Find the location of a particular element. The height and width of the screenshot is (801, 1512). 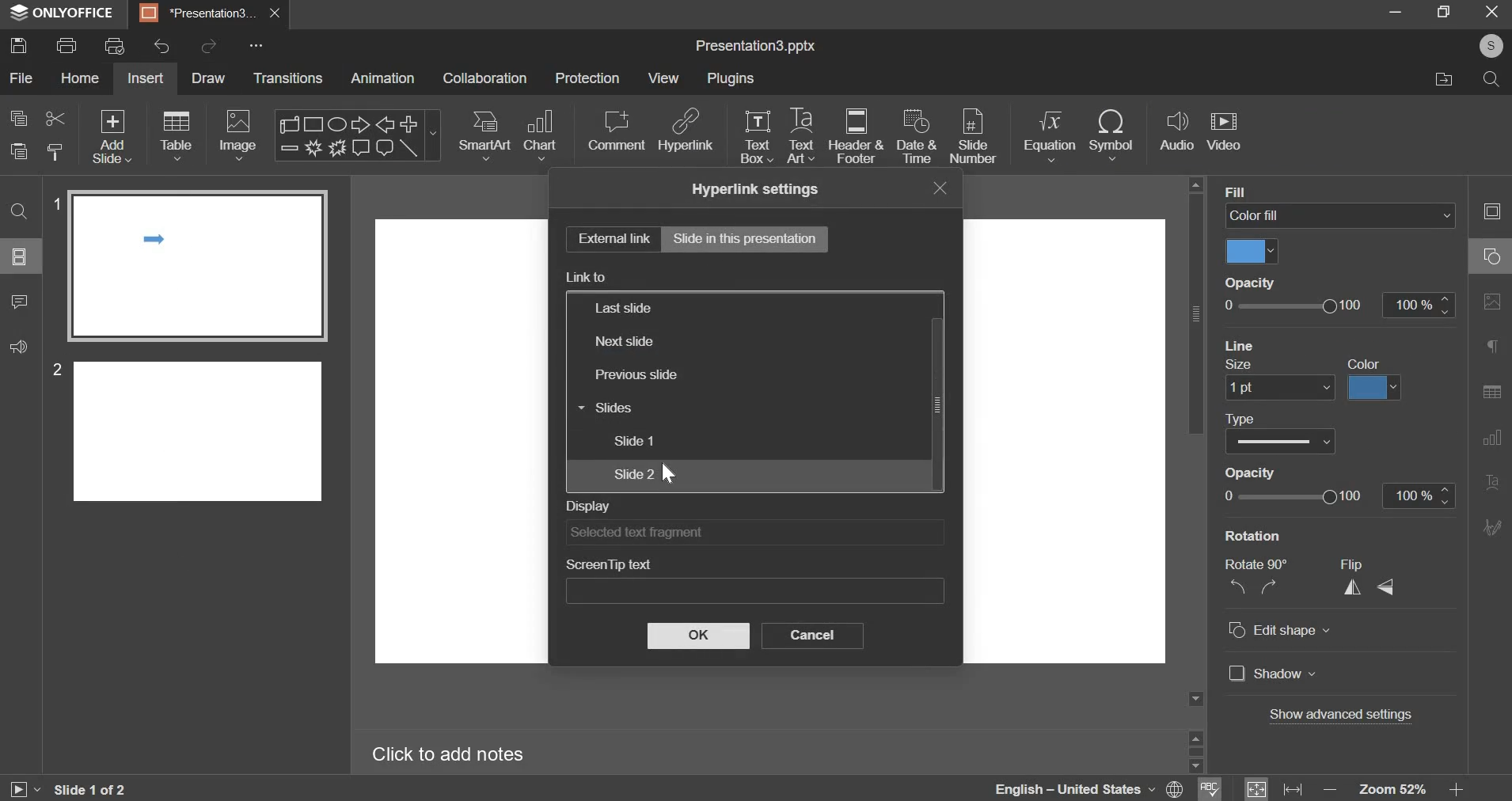

slider from 0 to 100 is located at coordinates (1295, 306).